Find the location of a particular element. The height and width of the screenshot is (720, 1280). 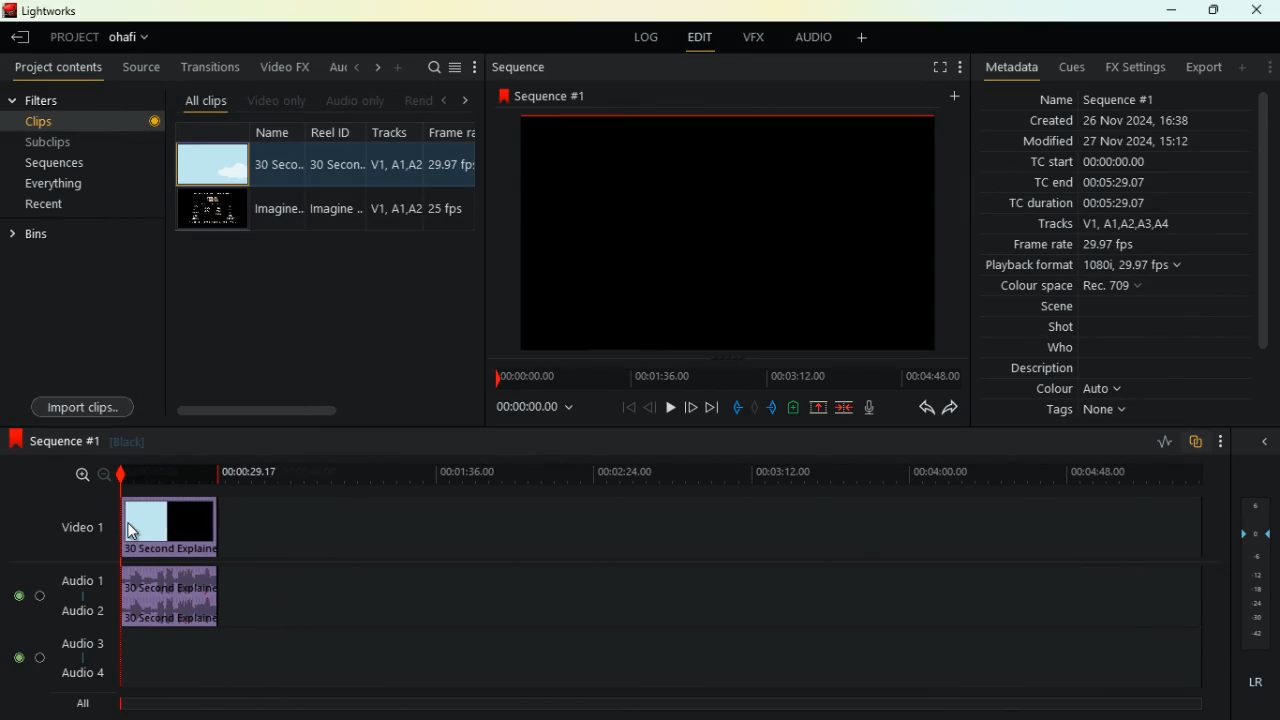

scroll bar is located at coordinates (301, 409).